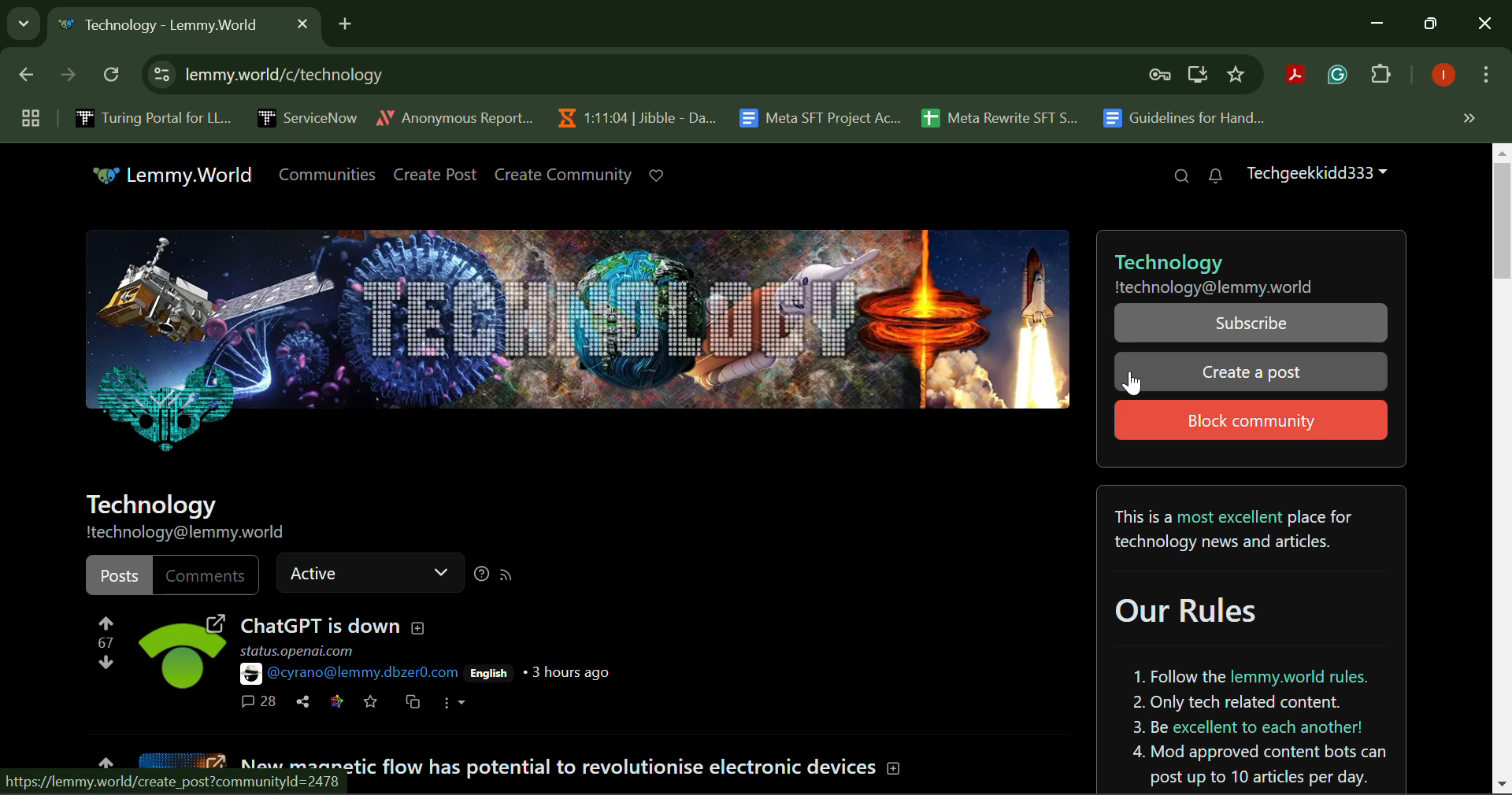 This screenshot has width=1512, height=795. What do you see at coordinates (180, 653) in the screenshot?
I see `Post Media Preview` at bounding box center [180, 653].